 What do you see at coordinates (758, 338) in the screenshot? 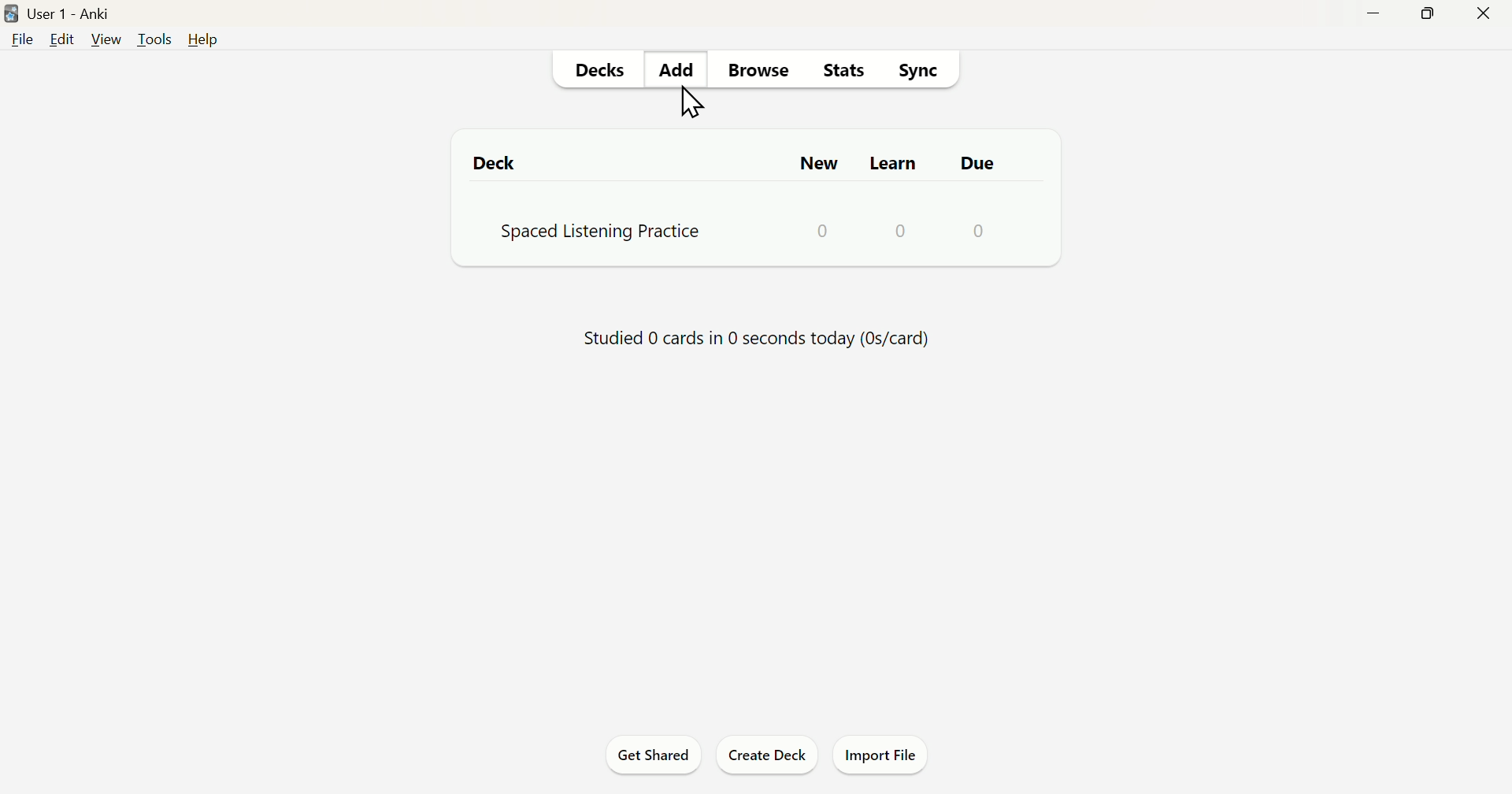
I see `` at bounding box center [758, 338].